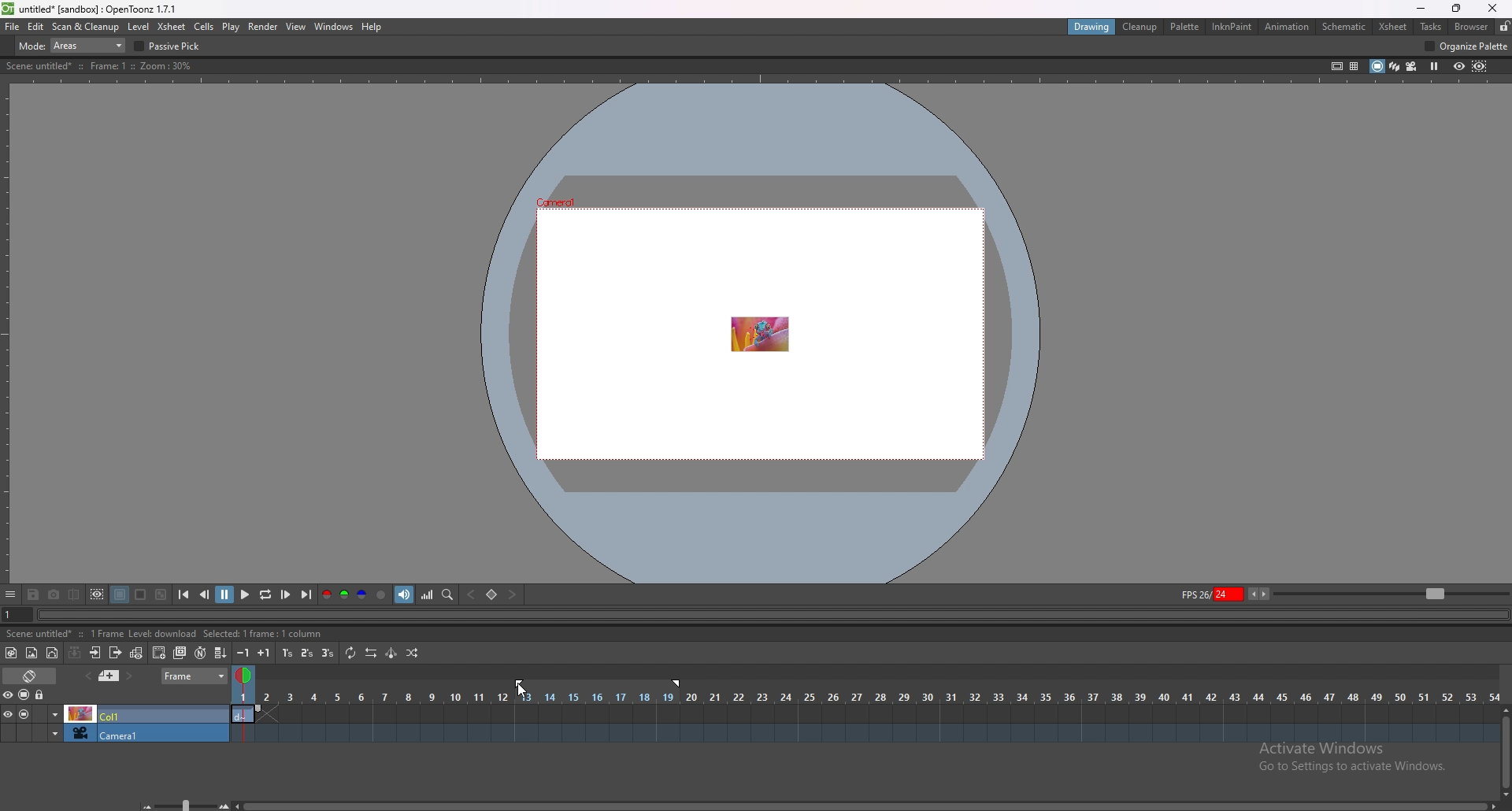 The height and width of the screenshot is (811, 1512). Describe the element at coordinates (1430, 26) in the screenshot. I see `tasks` at that location.